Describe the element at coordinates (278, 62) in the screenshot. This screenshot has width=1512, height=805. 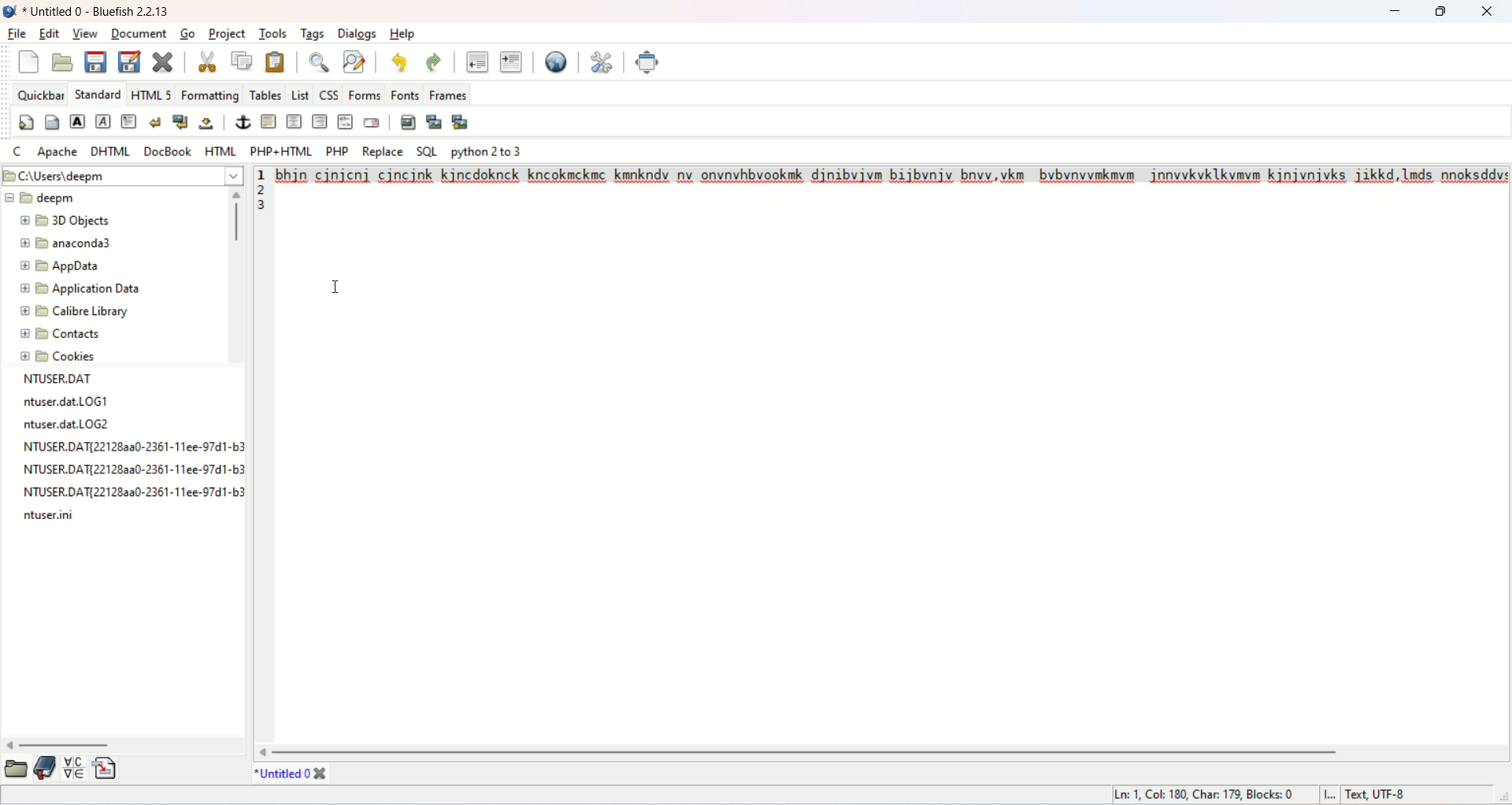
I see `paste` at that location.